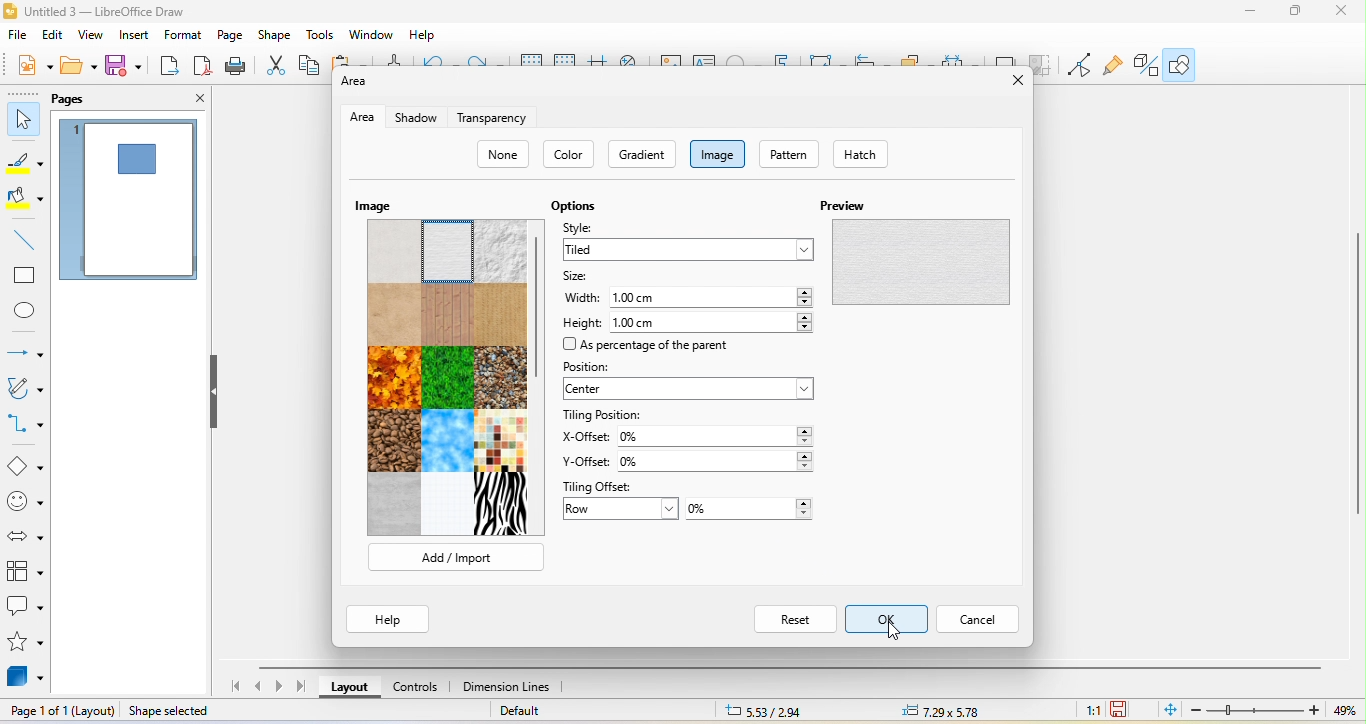 This screenshot has width=1366, height=724. What do you see at coordinates (24, 533) in the screenshot?
I see `block arrows` at bounding box center [24, 533].